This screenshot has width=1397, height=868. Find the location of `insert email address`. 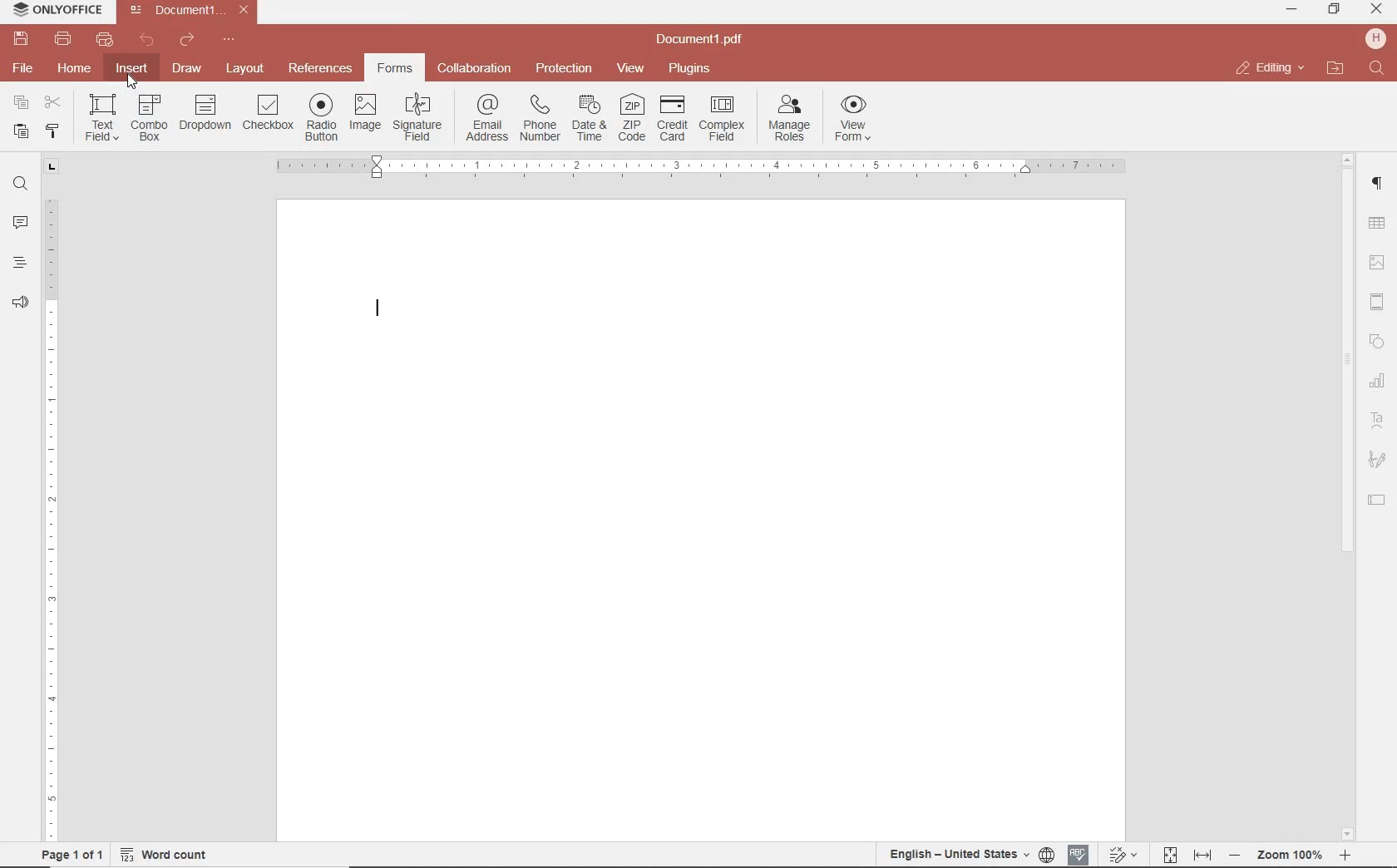

insert email address is located at coordinates (485, 118).